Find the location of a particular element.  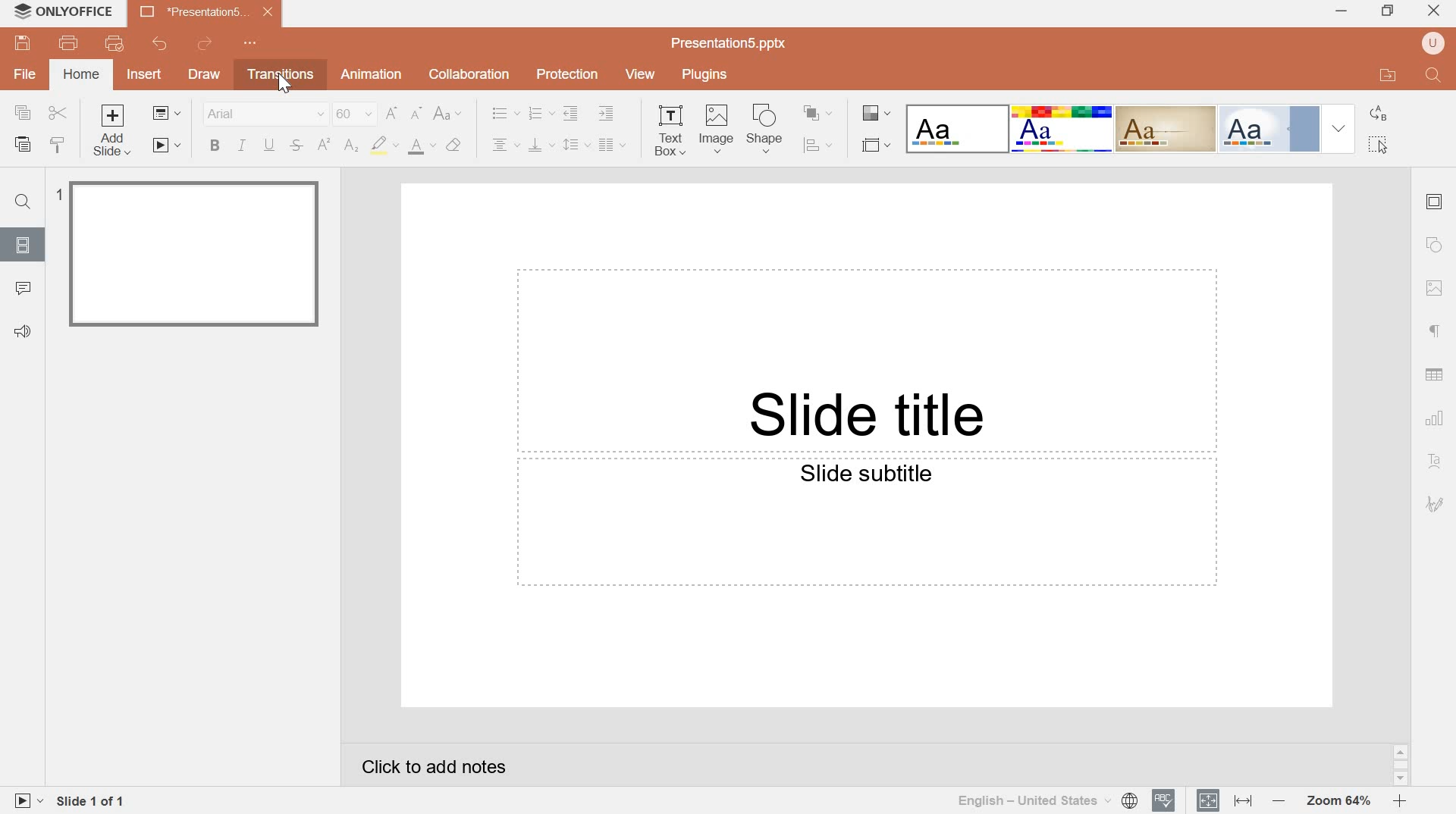

paragraph settings is located at coordinates (1430, 332).